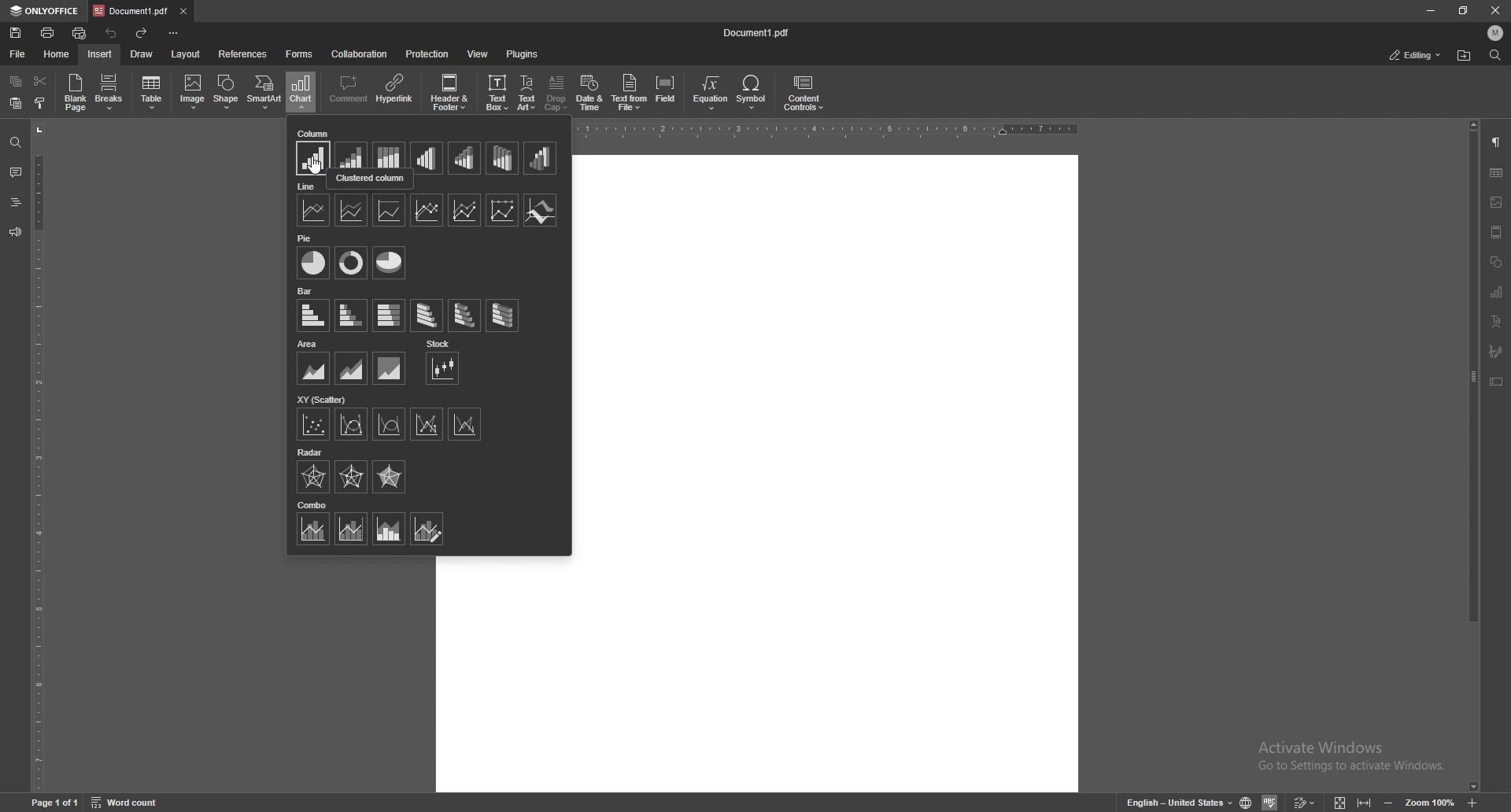 This screenshot has height=812, width=1511. Describe the element at coordinates (1498, 173) in the screenshot. I see `table` at that location.